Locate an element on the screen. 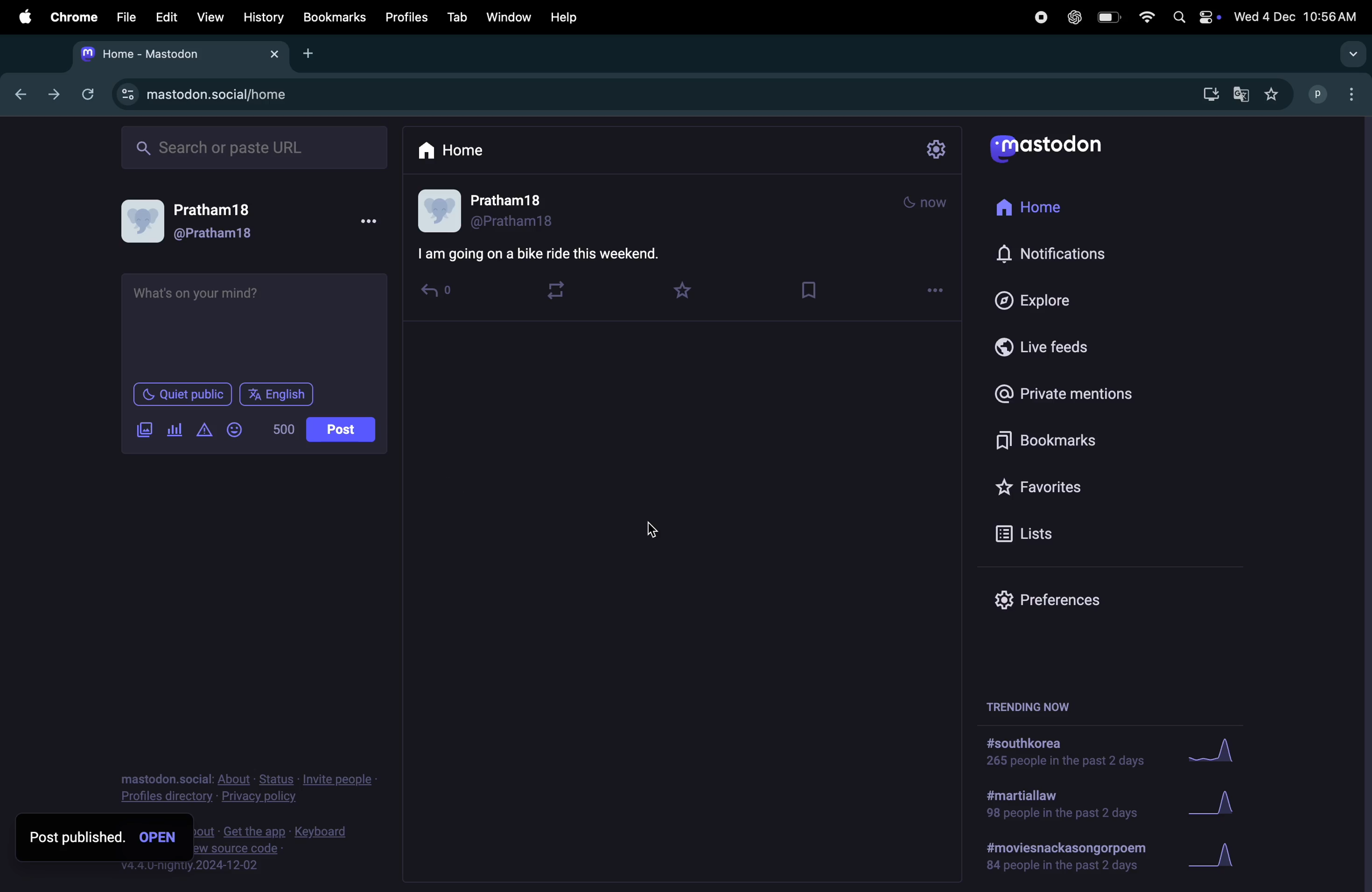  Home is located at coordinates (1039, 210).